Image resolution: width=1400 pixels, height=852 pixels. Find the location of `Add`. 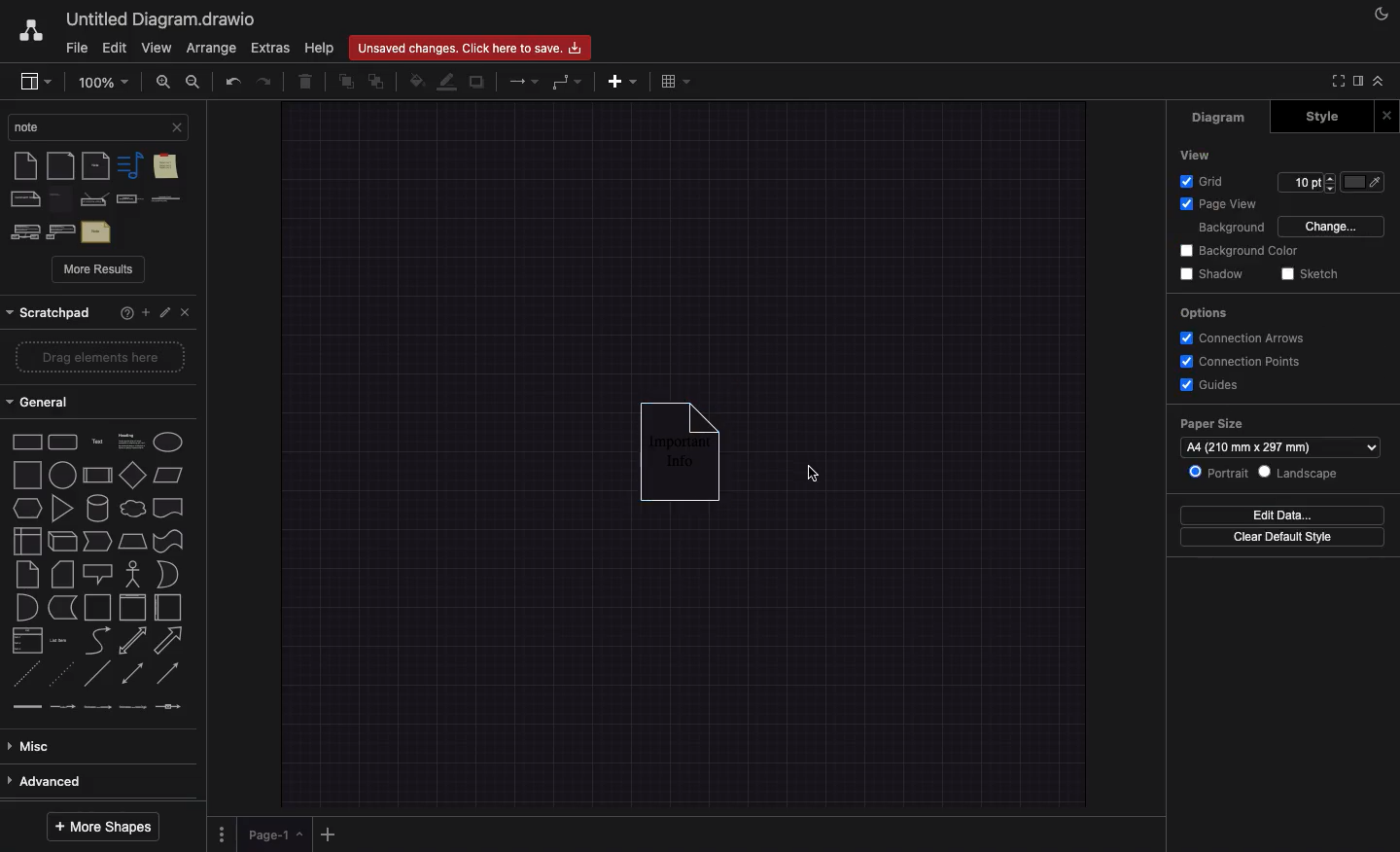

Add is located at coordinates (626, 81).